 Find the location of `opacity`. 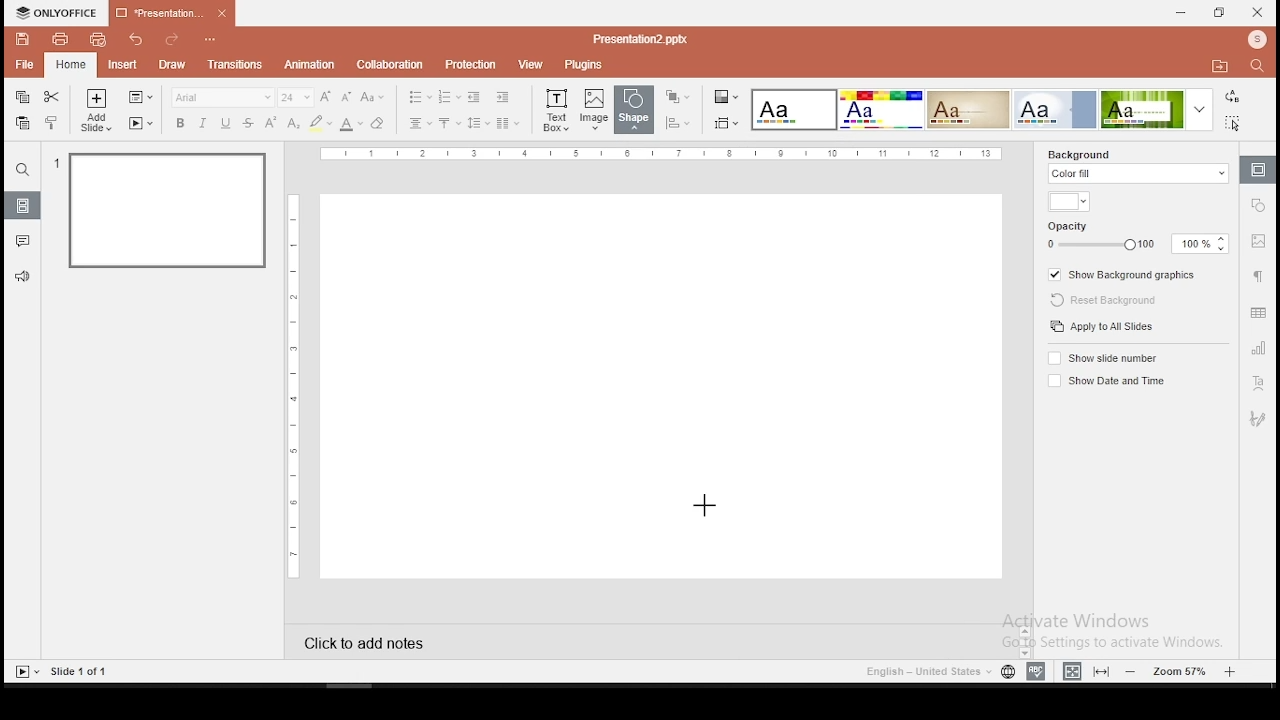

opacity is located at coordinates (1135, 236).